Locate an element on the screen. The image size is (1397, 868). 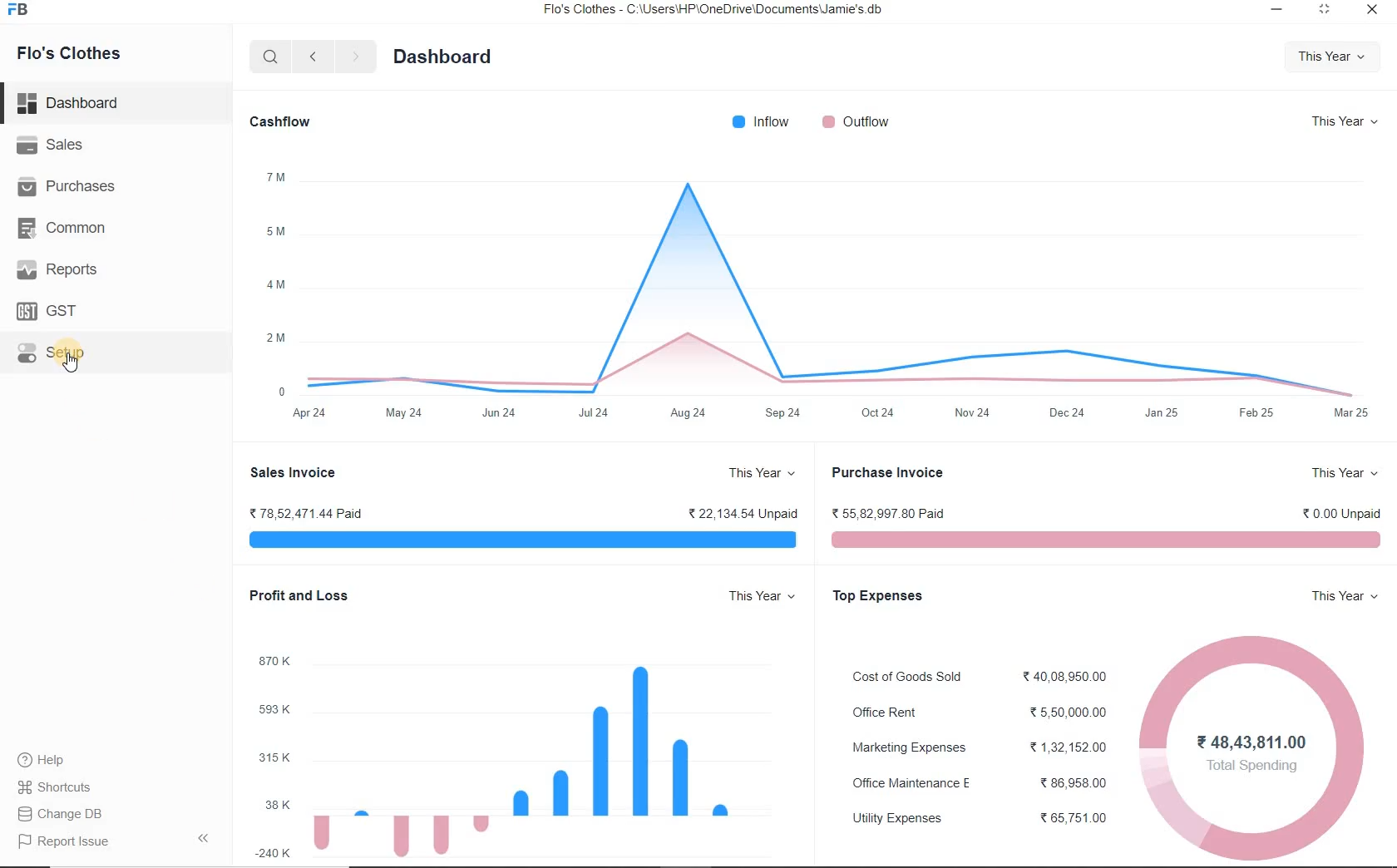
Help is located at coordinates (47, 760).